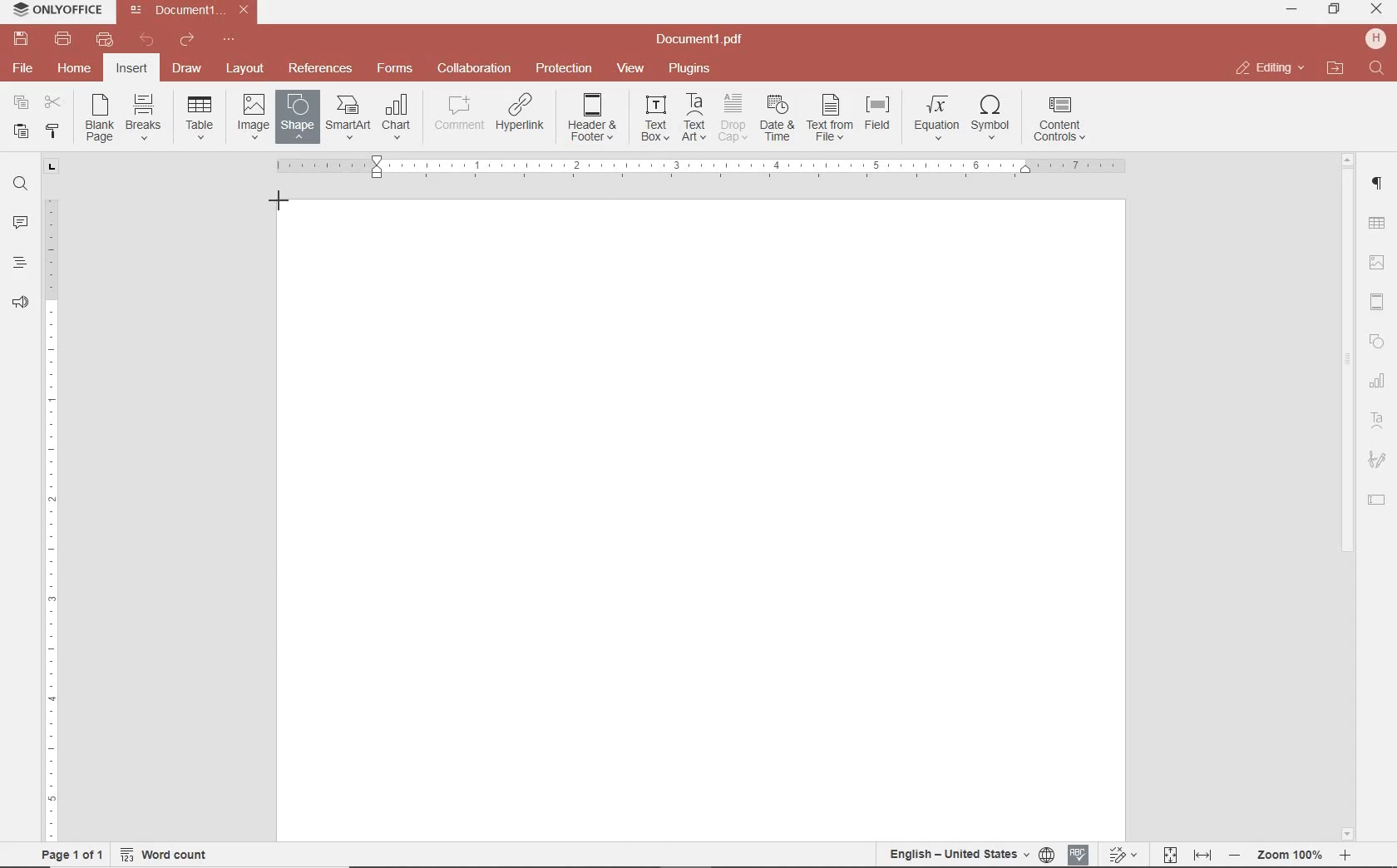 This screenshot has height=868, width=1397. I want to click on track change, so click(1121, 856).